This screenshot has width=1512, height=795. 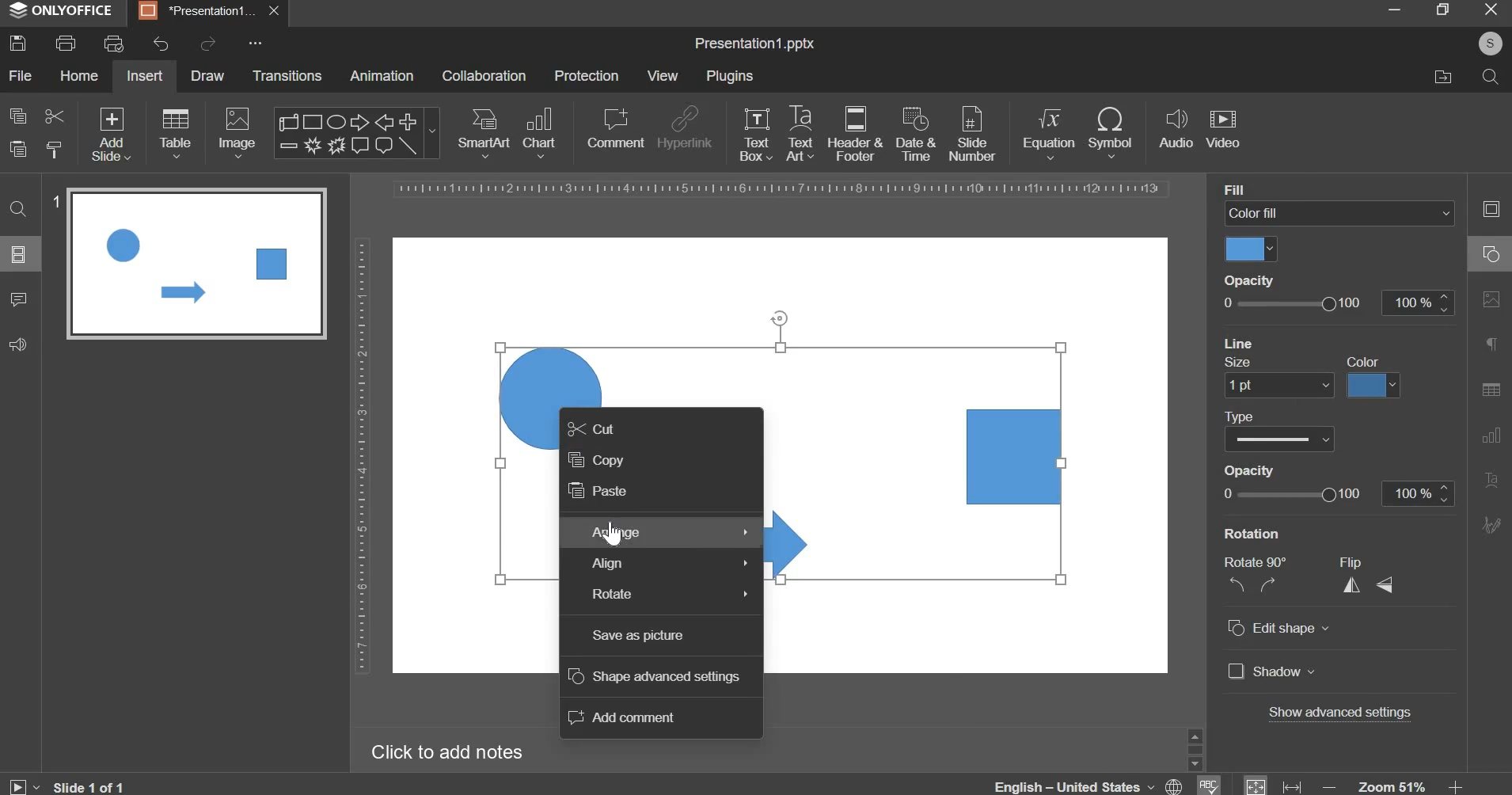 What do you see at coordinates (20, 207) in the screenshot?
I see `find` at bounding box center [20, 207].